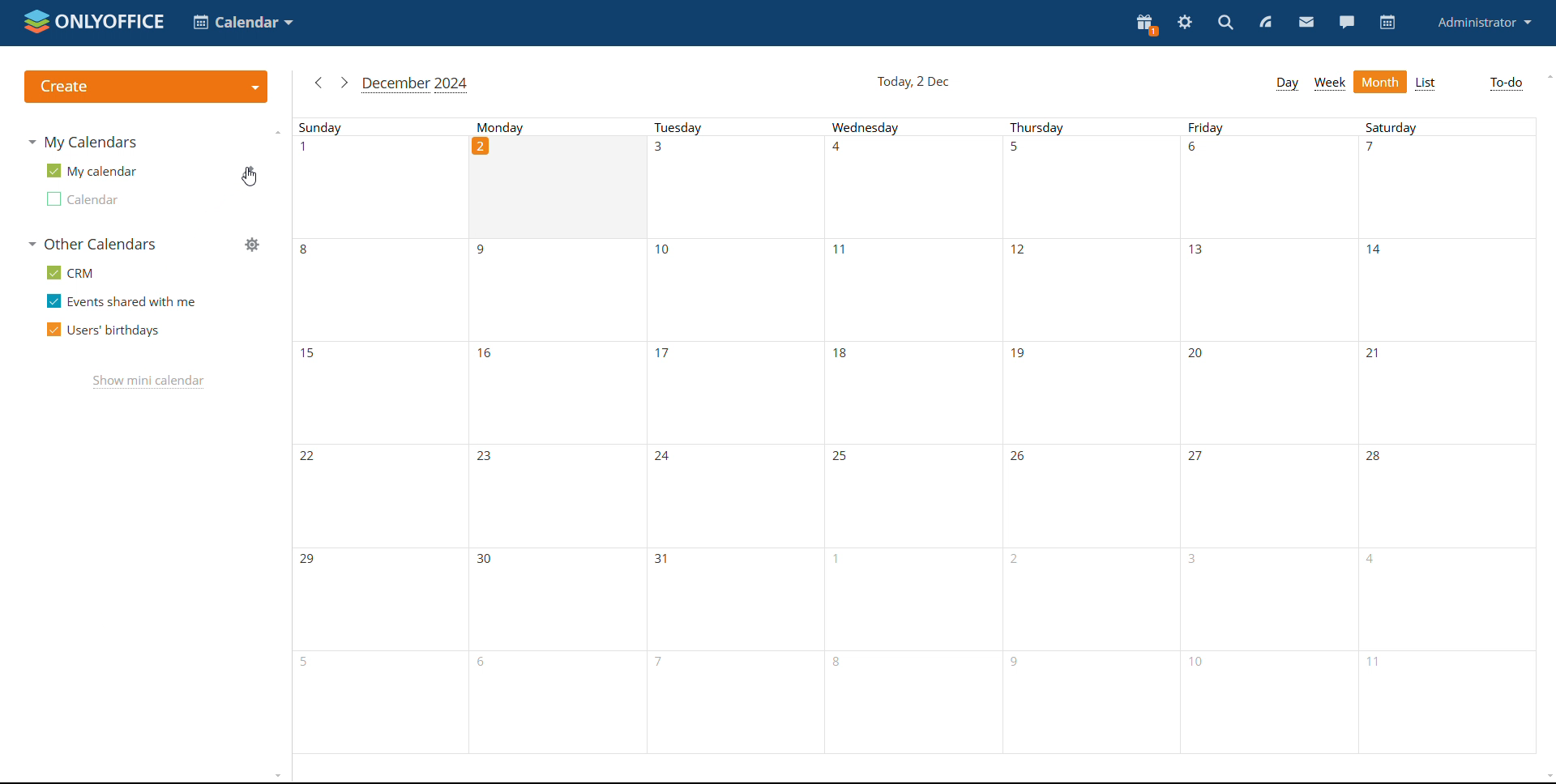 The image size is (1556, 784). I want to click on list view, so click(1426, 83).